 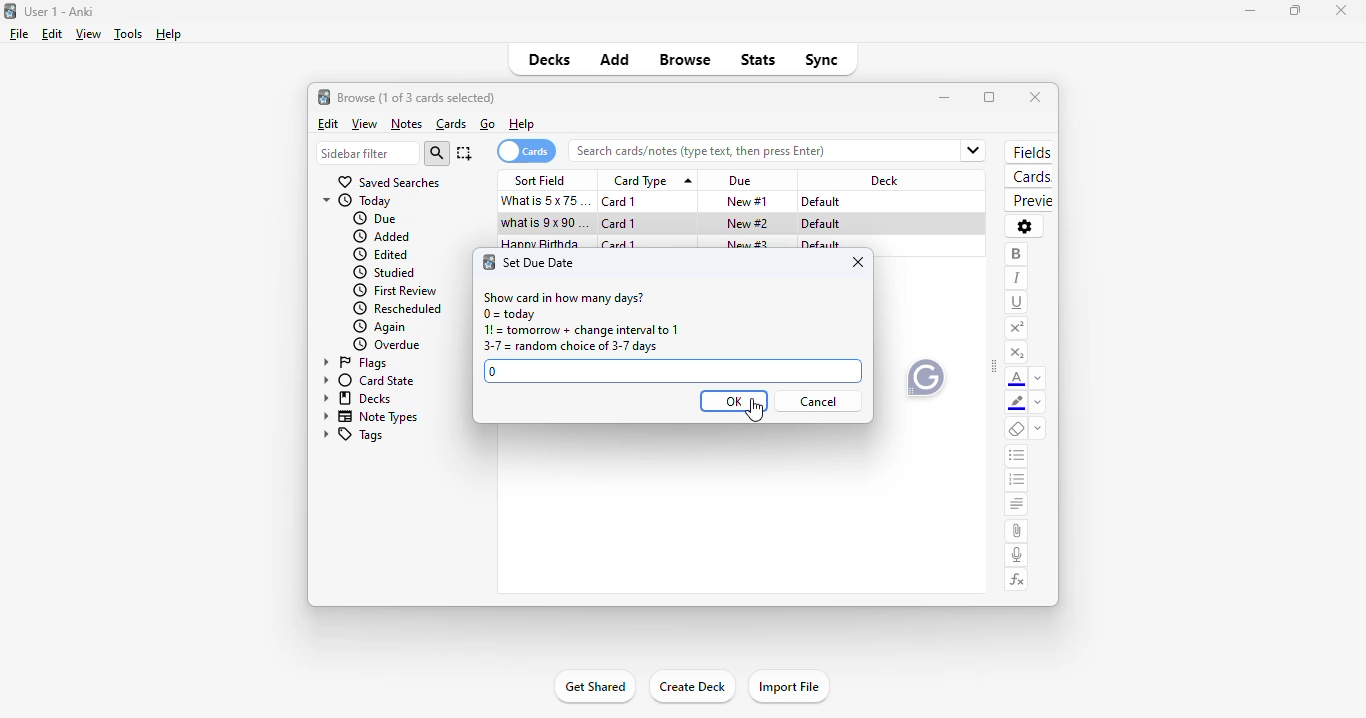 I want to click on Dropdown, so click(x=975, y=149).